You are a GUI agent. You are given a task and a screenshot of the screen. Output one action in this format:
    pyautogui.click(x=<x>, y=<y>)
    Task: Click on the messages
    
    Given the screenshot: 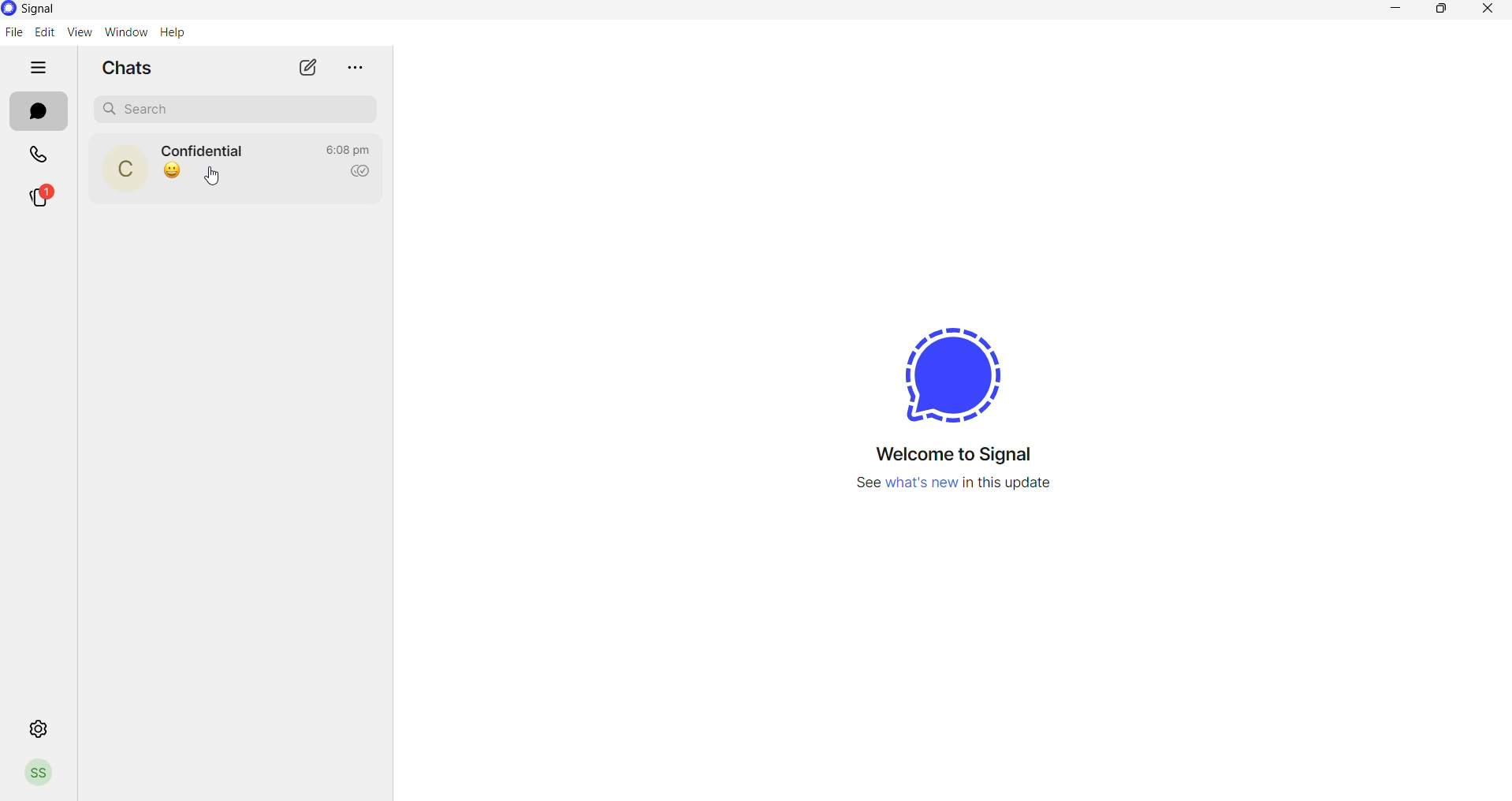 What is the action you would take?
    pyautogui.click(x=40, y=114)
    